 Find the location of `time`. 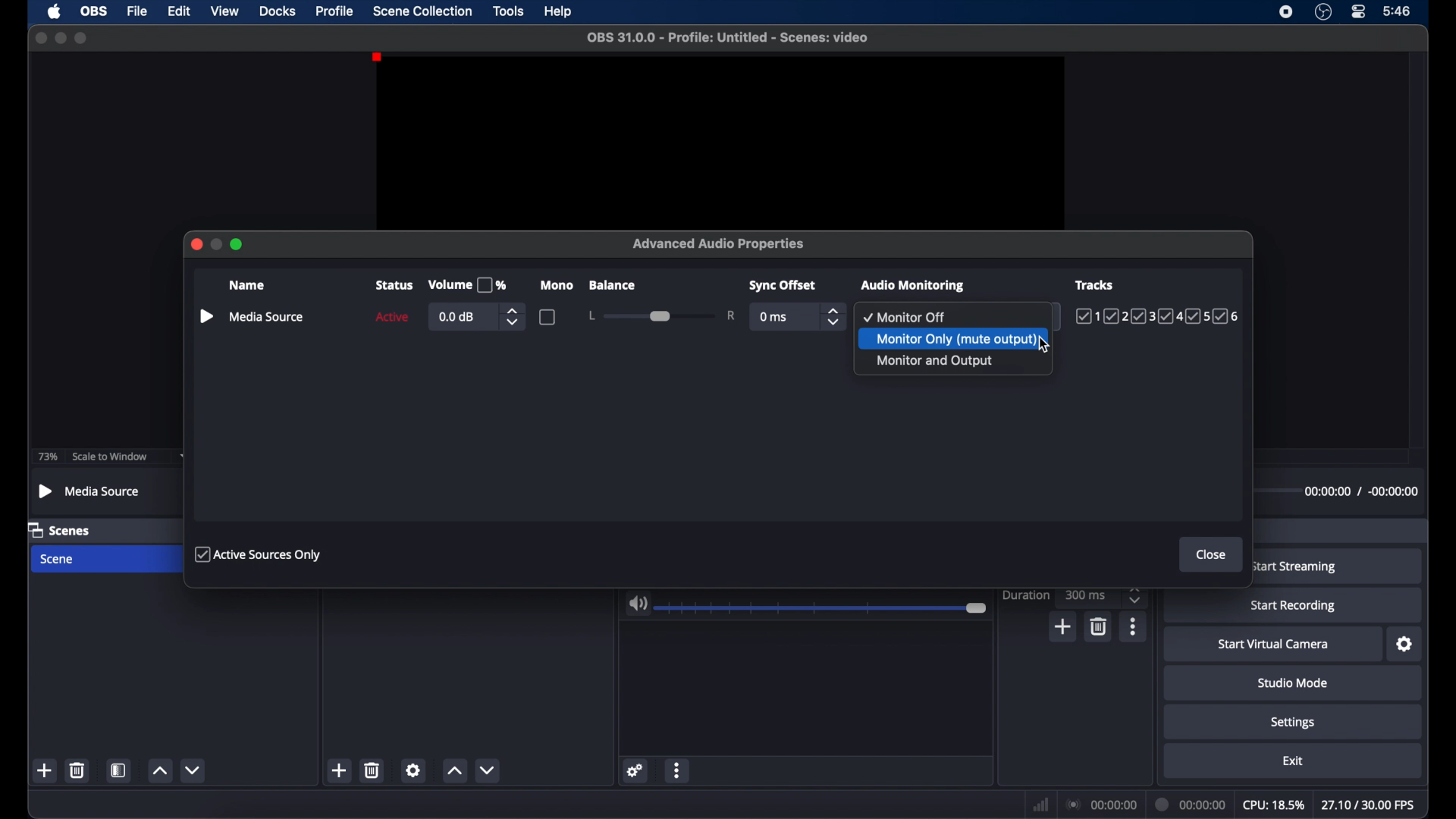

time is located at coordinates (1396, 10).